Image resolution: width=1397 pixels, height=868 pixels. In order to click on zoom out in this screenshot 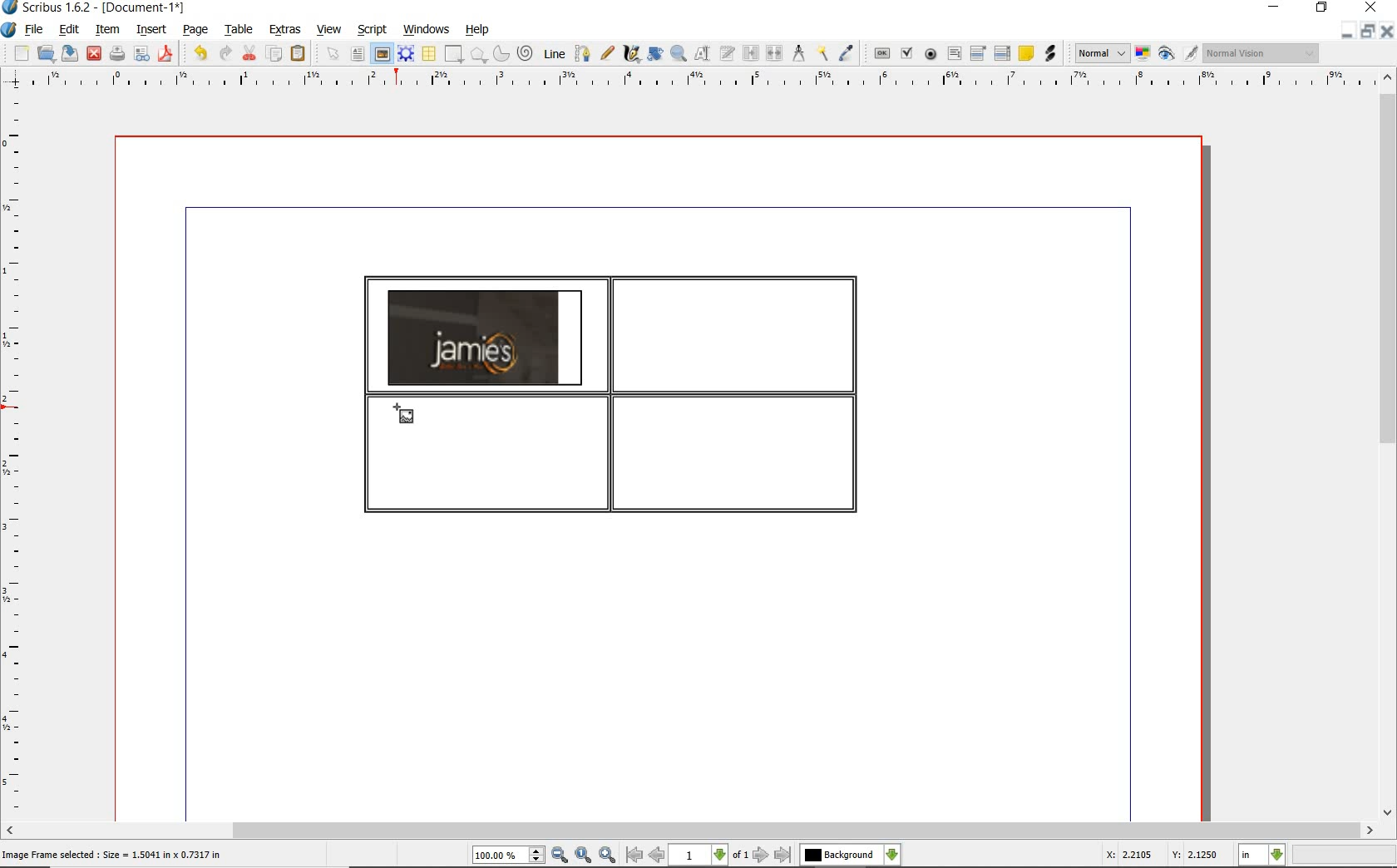, I will do `click(560, 856)`.